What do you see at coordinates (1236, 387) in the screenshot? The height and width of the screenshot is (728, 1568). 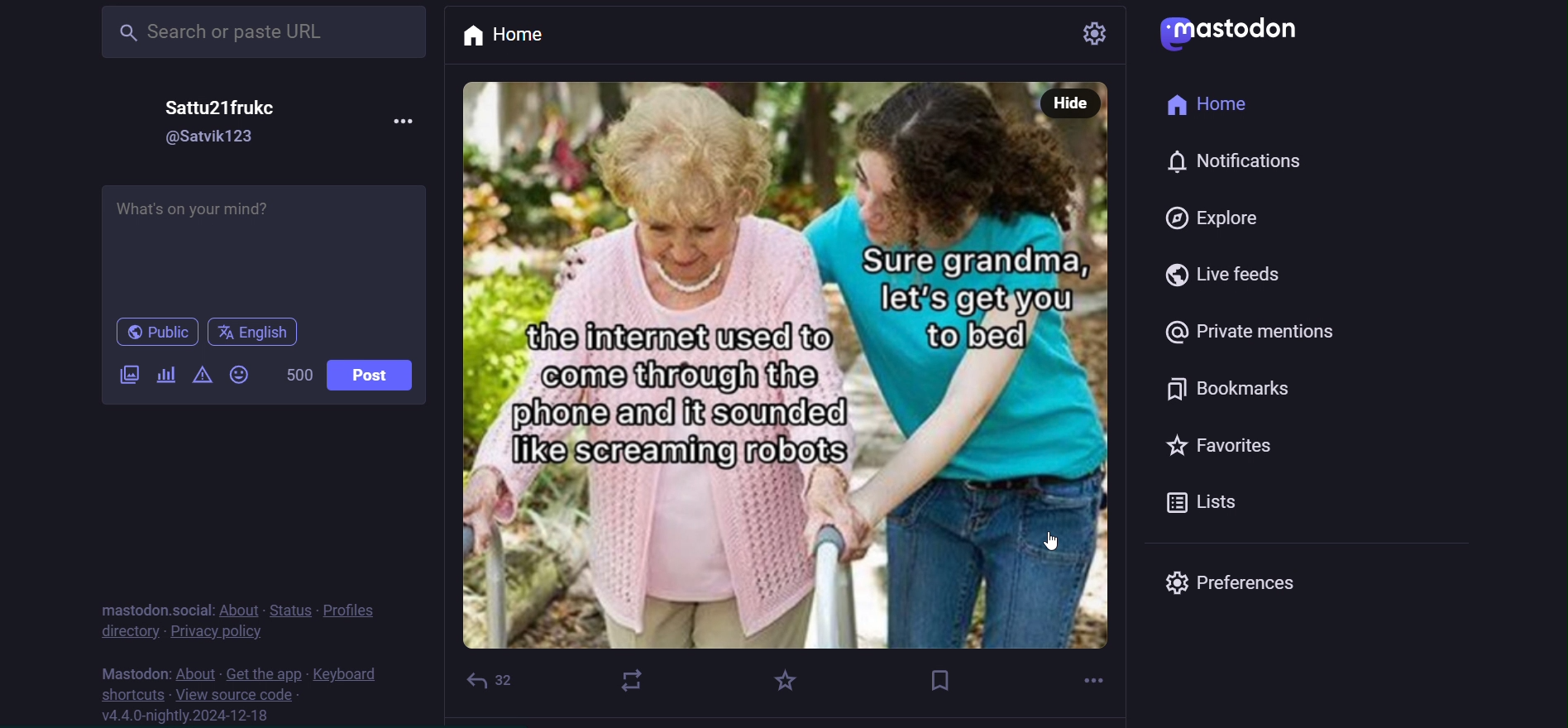 I see `bookmark` at bounding box center [1236, 387].